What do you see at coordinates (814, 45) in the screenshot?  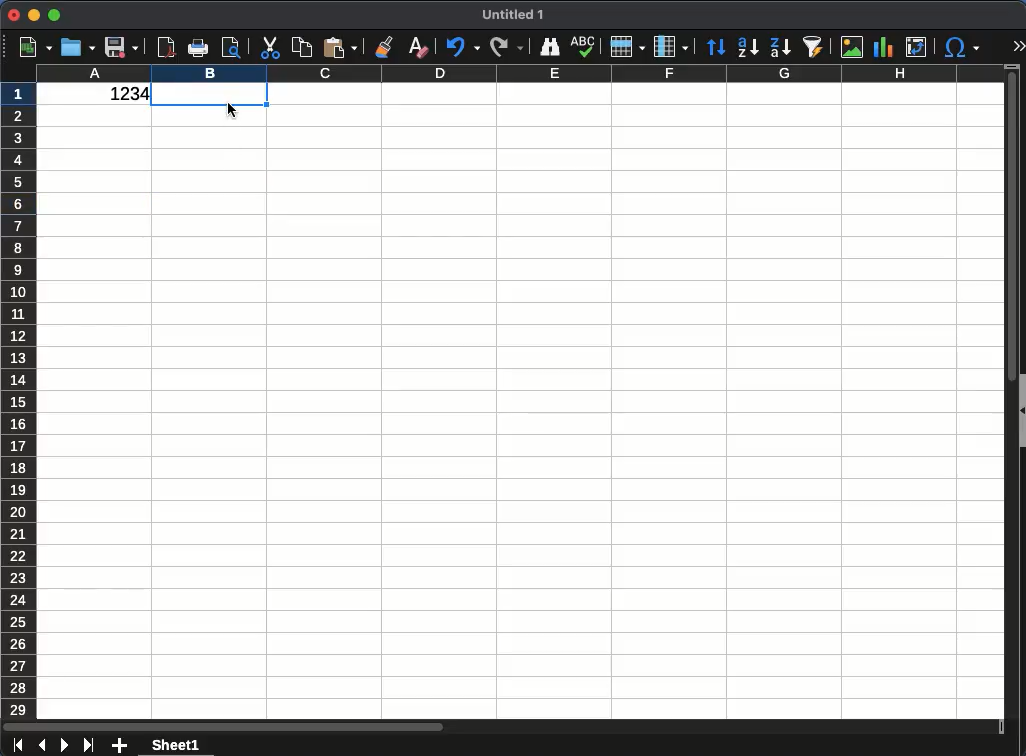 I see `autofilter` at bounding box center [814, 45].